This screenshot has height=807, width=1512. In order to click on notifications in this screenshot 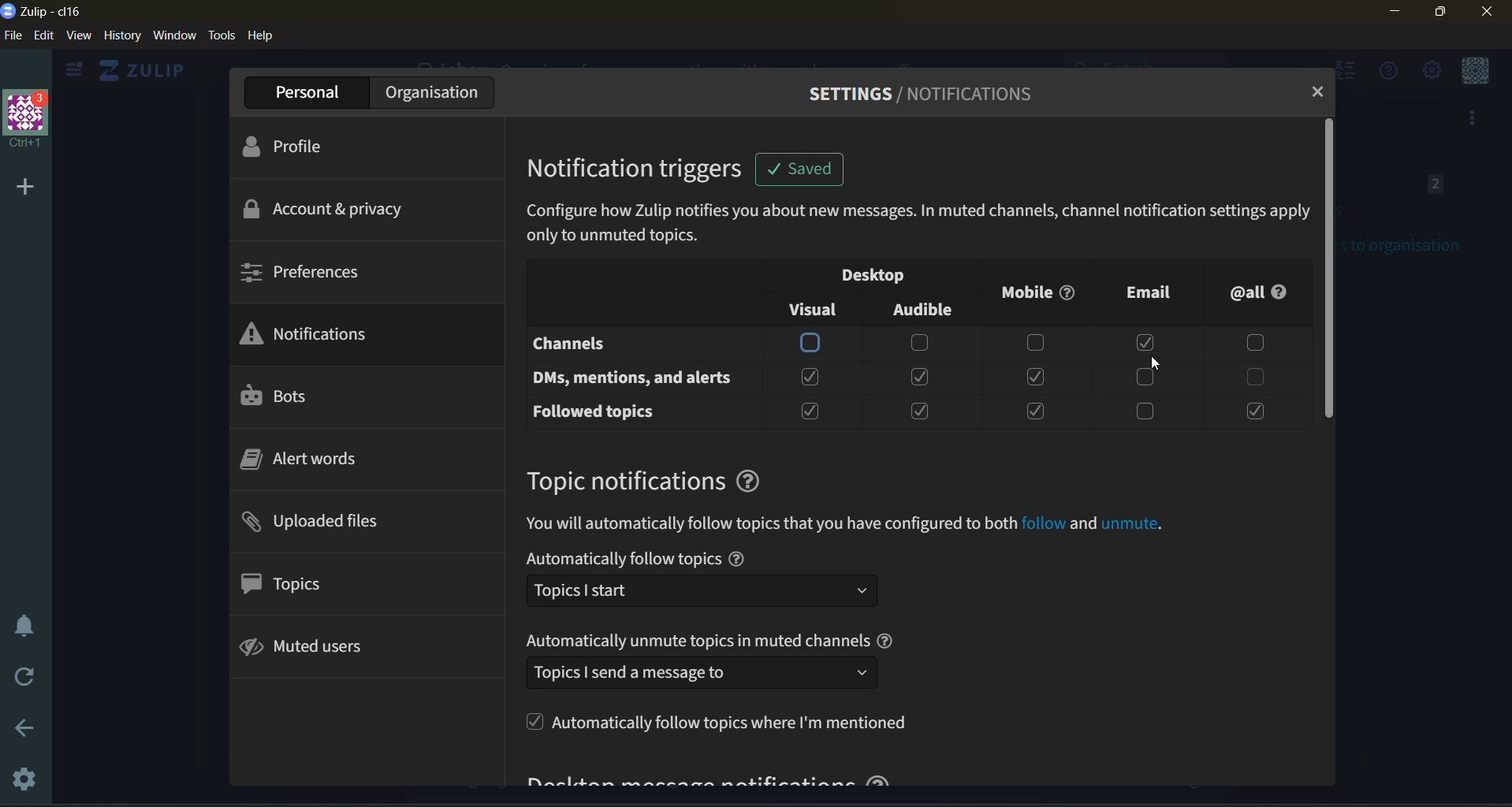, I will do `click(318, 335)`.